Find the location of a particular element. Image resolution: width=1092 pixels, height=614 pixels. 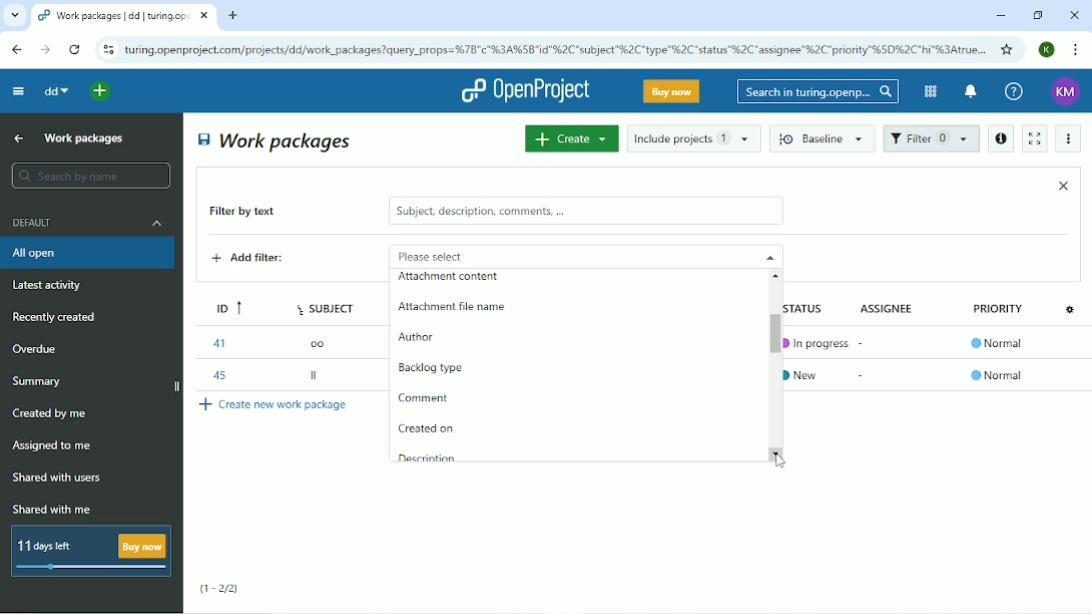

Current tab is located at coordinates (124, 16).